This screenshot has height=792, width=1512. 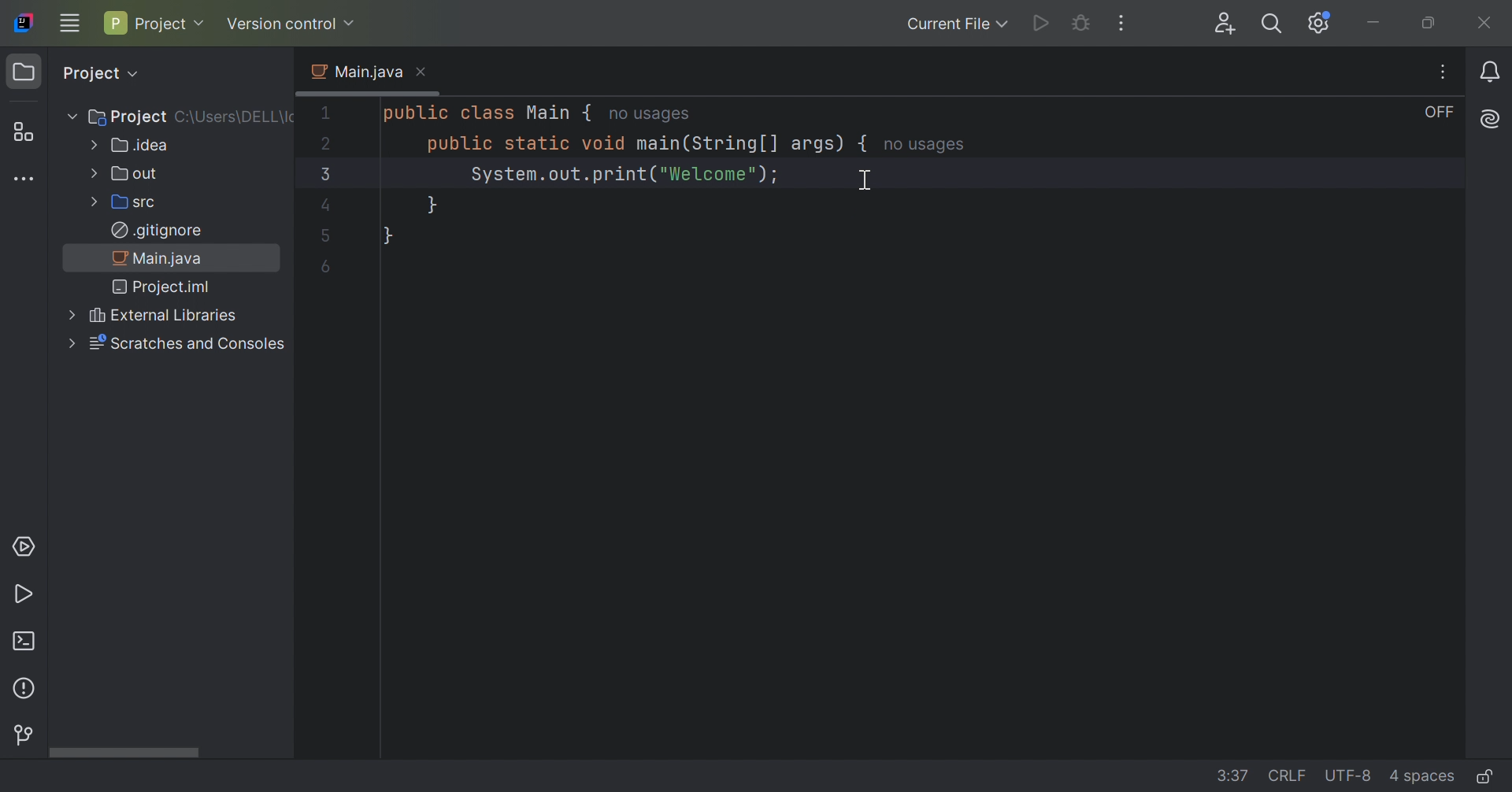 I want to click on Make file read-only, so click(x=1484, y=778).